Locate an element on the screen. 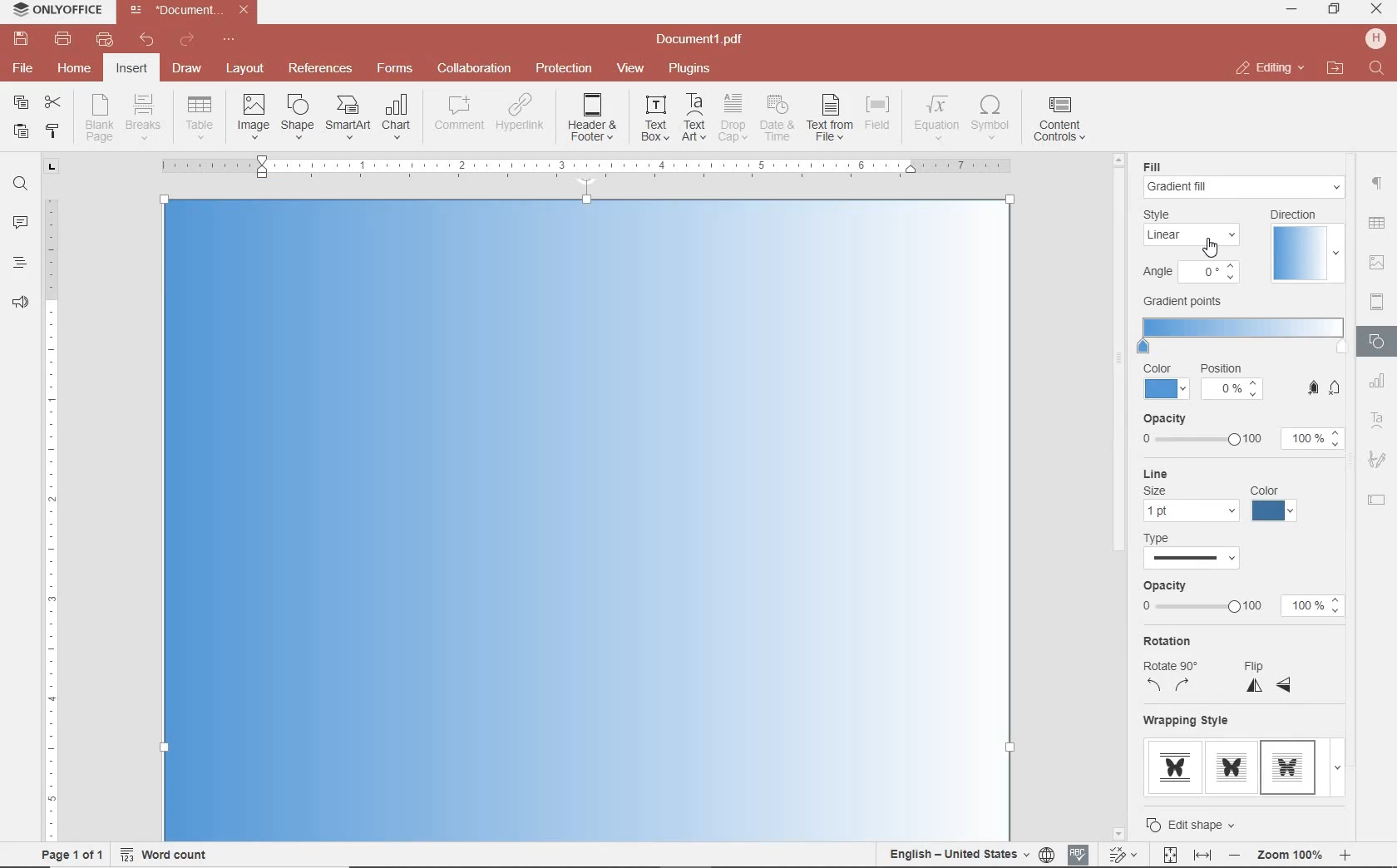  open file location is located at coordinates (1335, 69).